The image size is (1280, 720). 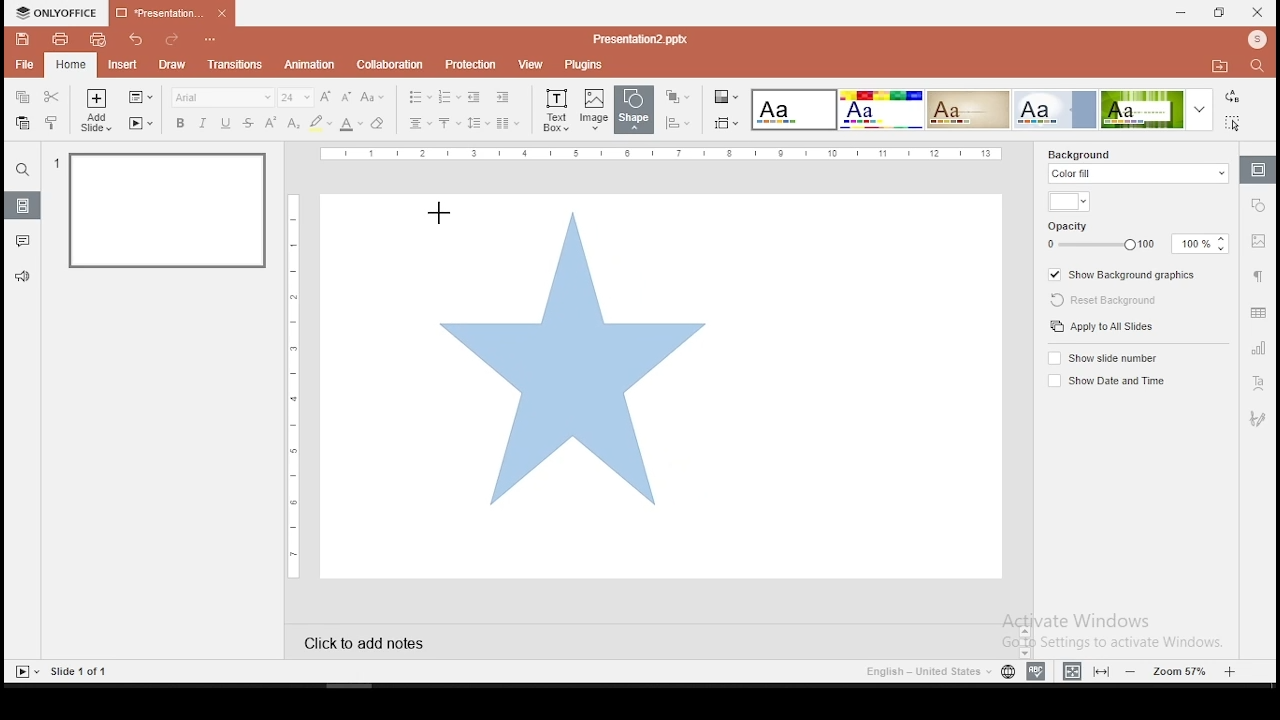 I want to click on show background graphics on/off, so click(x=1125, y=273).